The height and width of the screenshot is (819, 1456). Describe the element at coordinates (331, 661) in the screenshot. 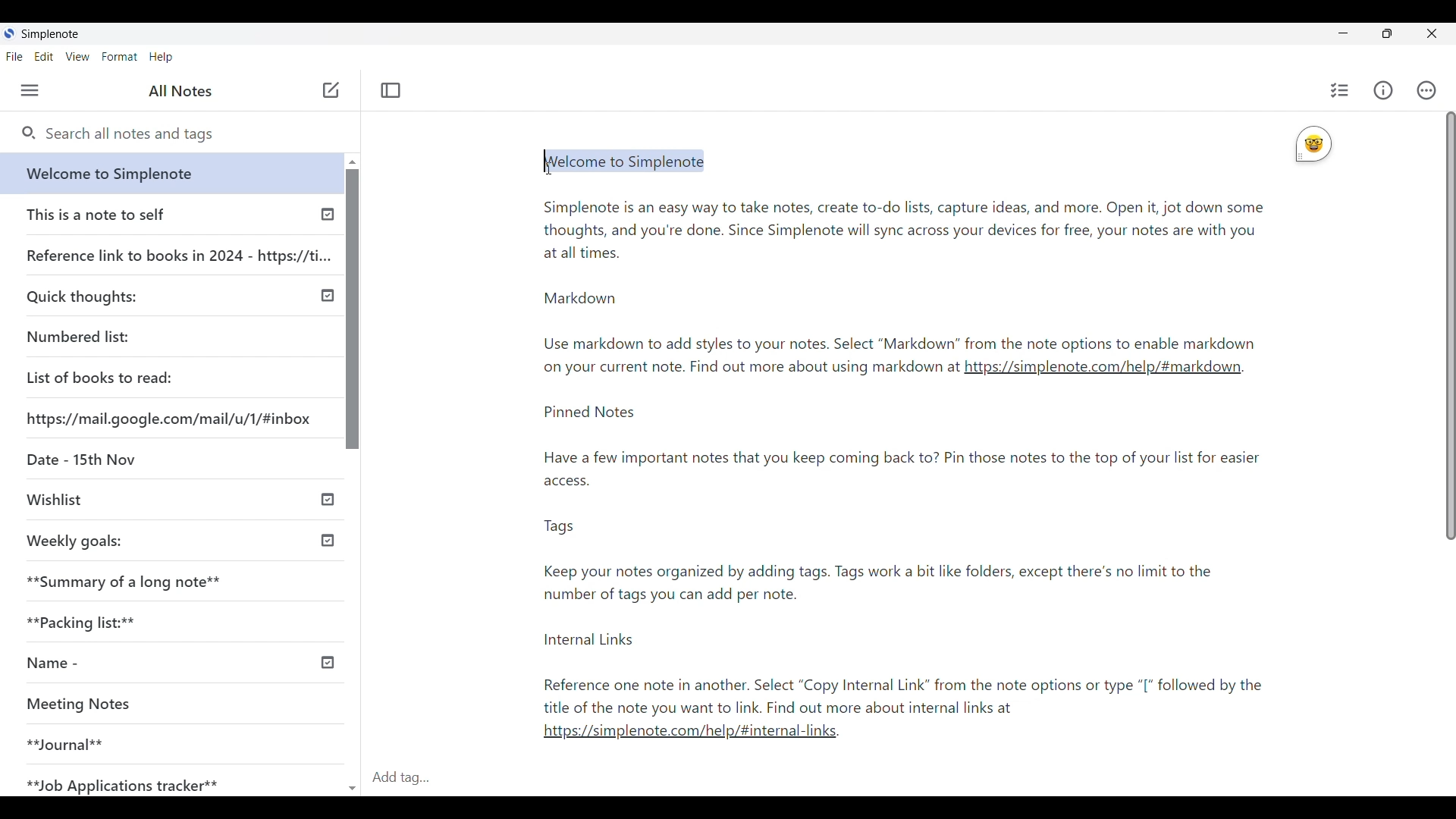

I see `Check icon indicates published notes` at that location.